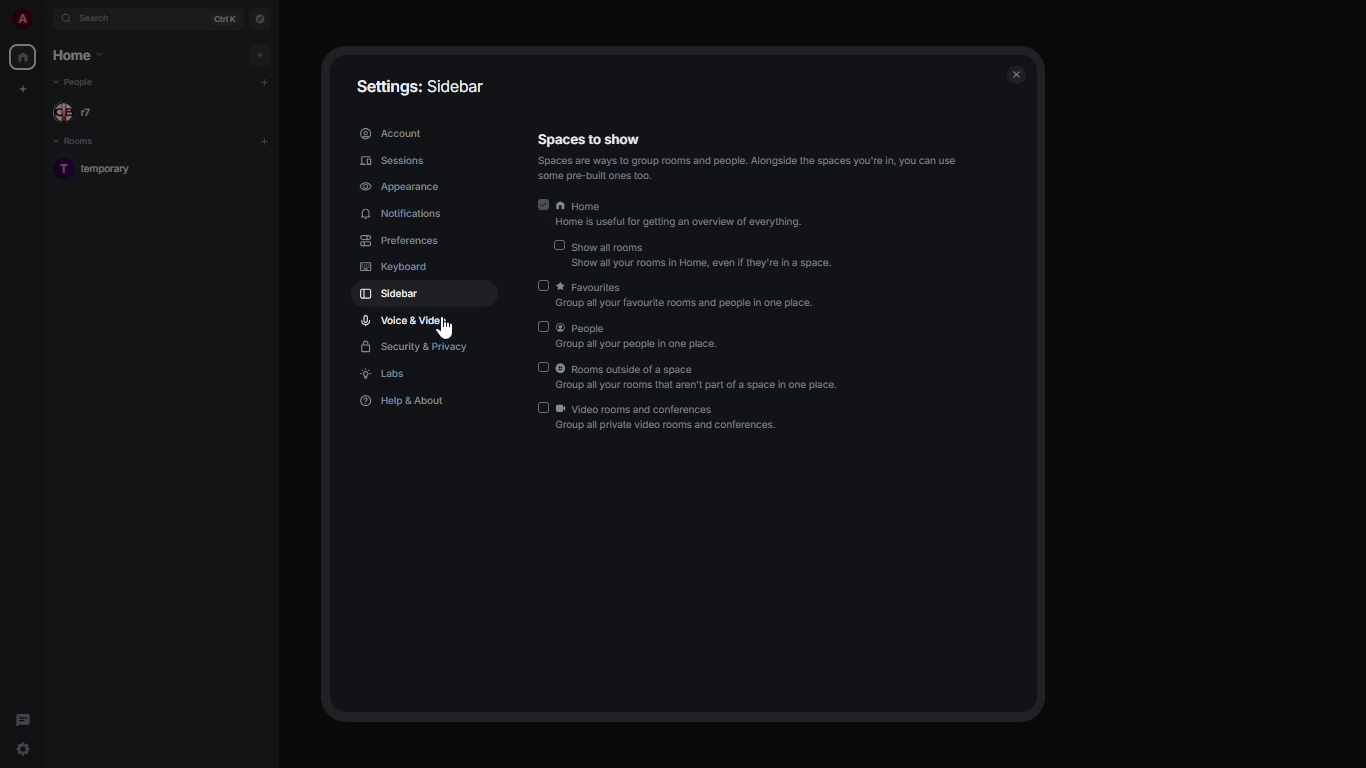  What do you see at coordinates (46, 20) in the screenshot?
I see `expand` at bounding box center [46, 20].